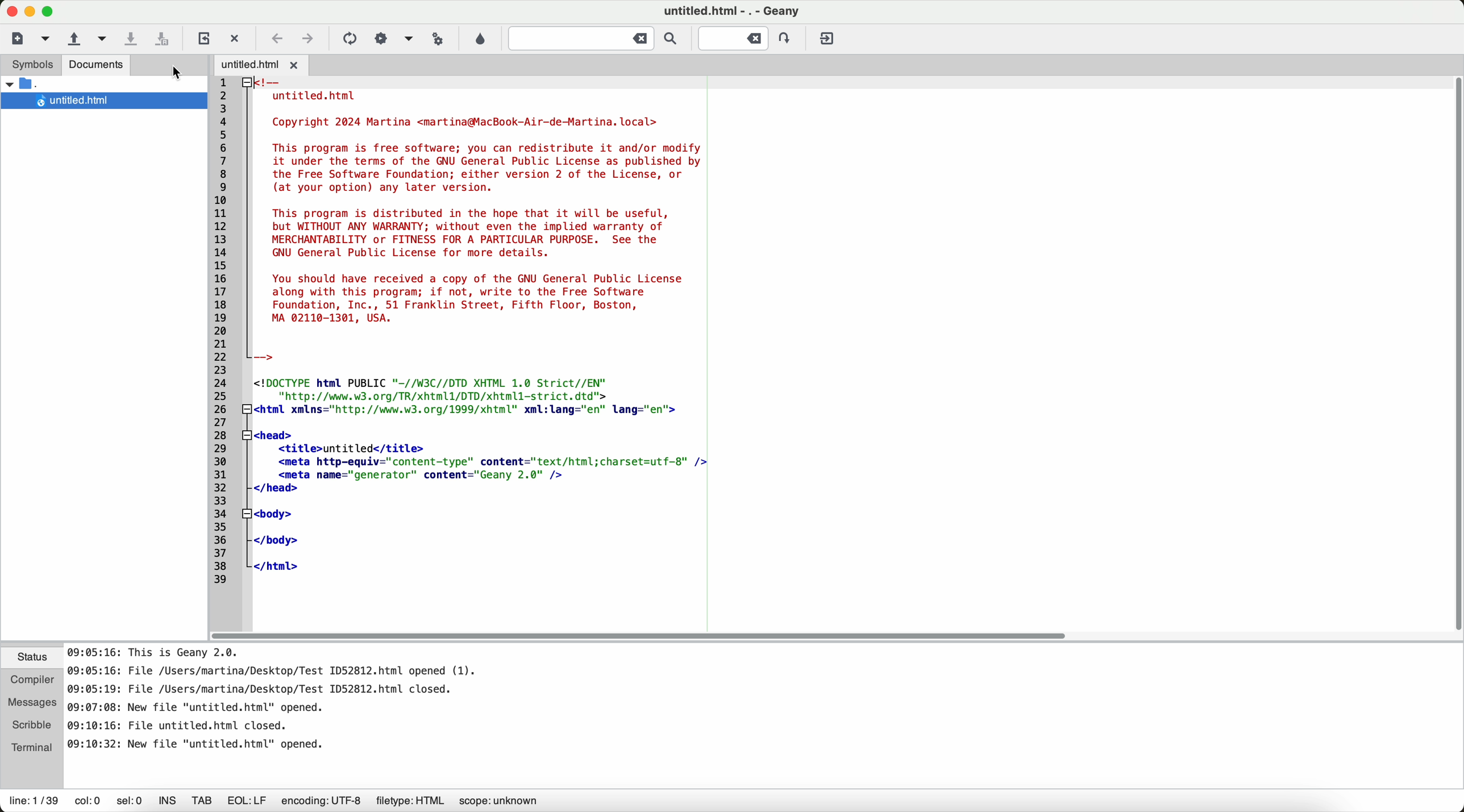 This screenshot has height=812, width=1464. I want to click on open a recent file, so click(101, 39).